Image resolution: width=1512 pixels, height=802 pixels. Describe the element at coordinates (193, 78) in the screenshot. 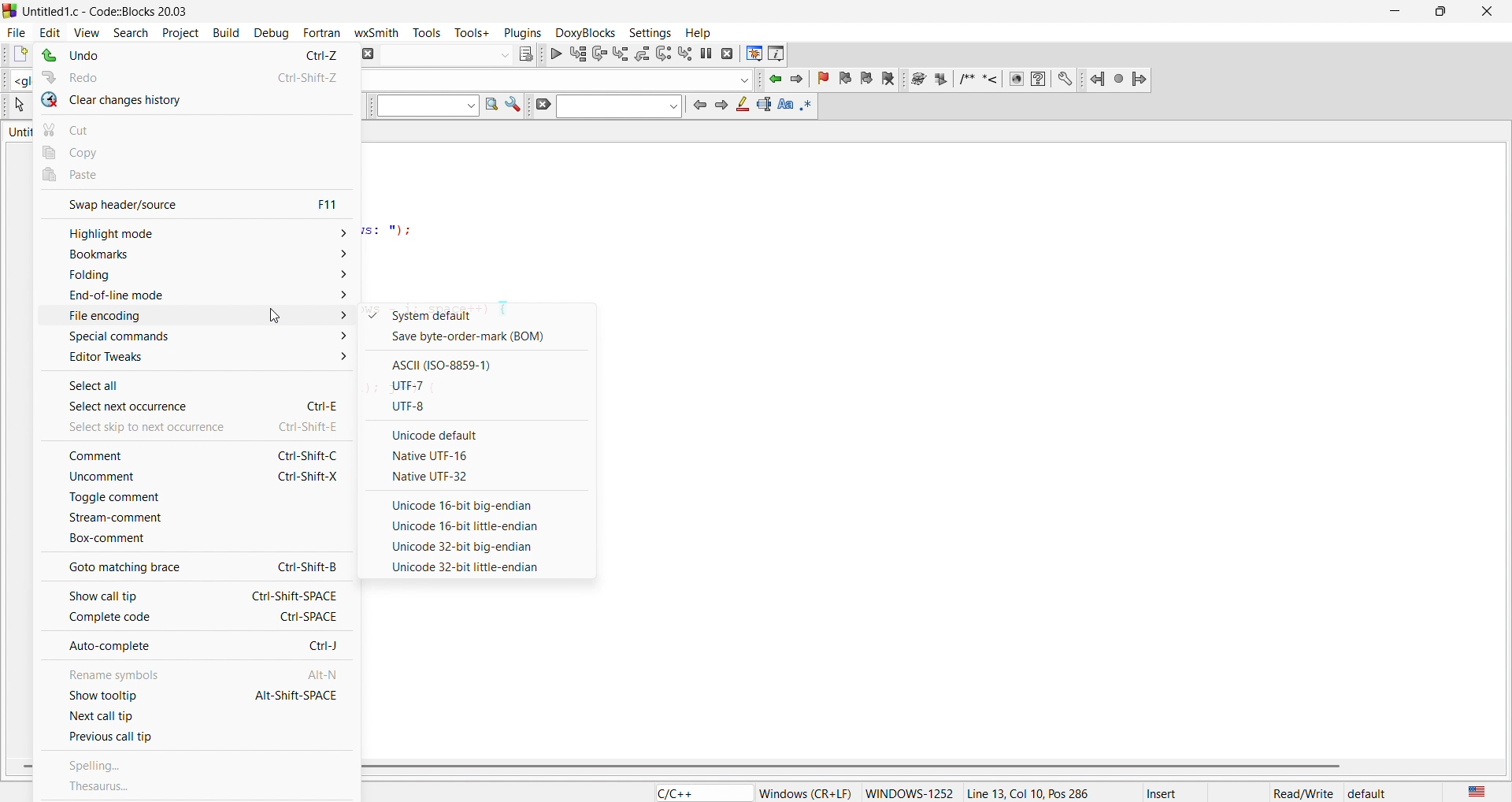

I see `redo` at that location.